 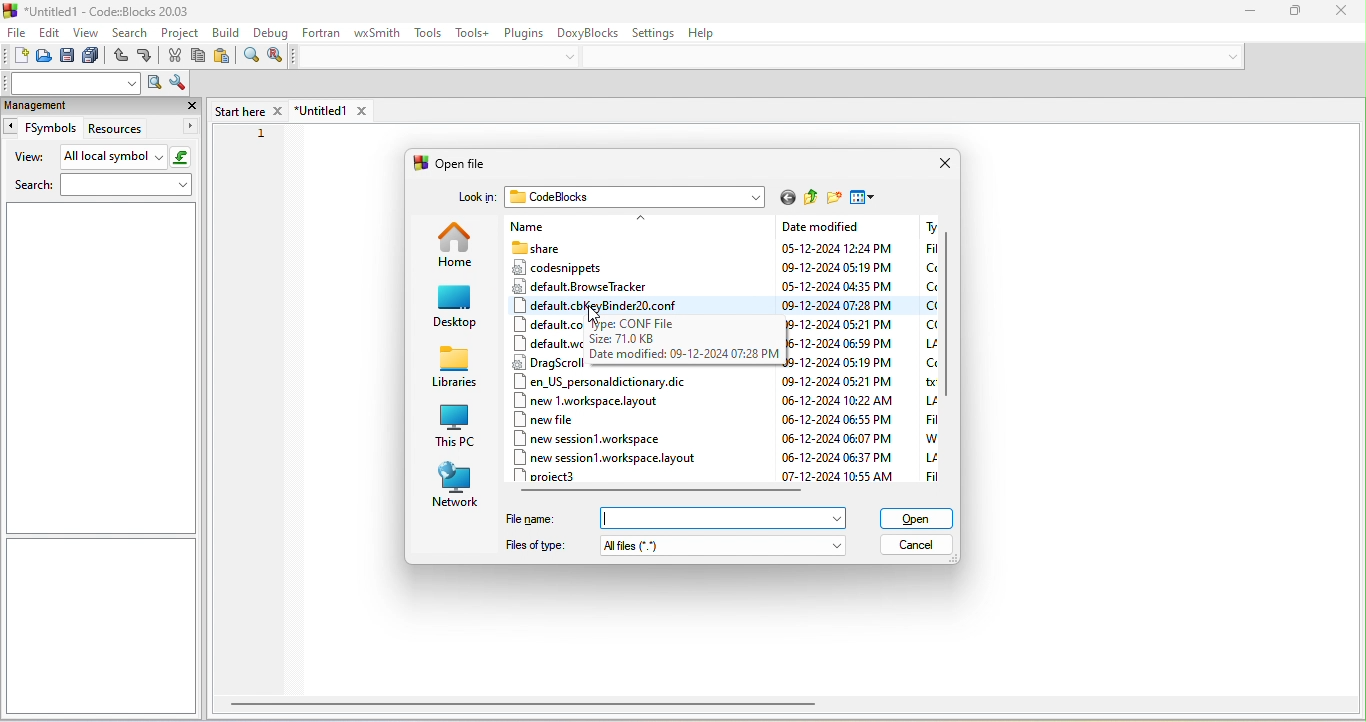 What do you see at coordinates (191, 106) in the screenshot?
I see `close` at bounding box center [191, 106].